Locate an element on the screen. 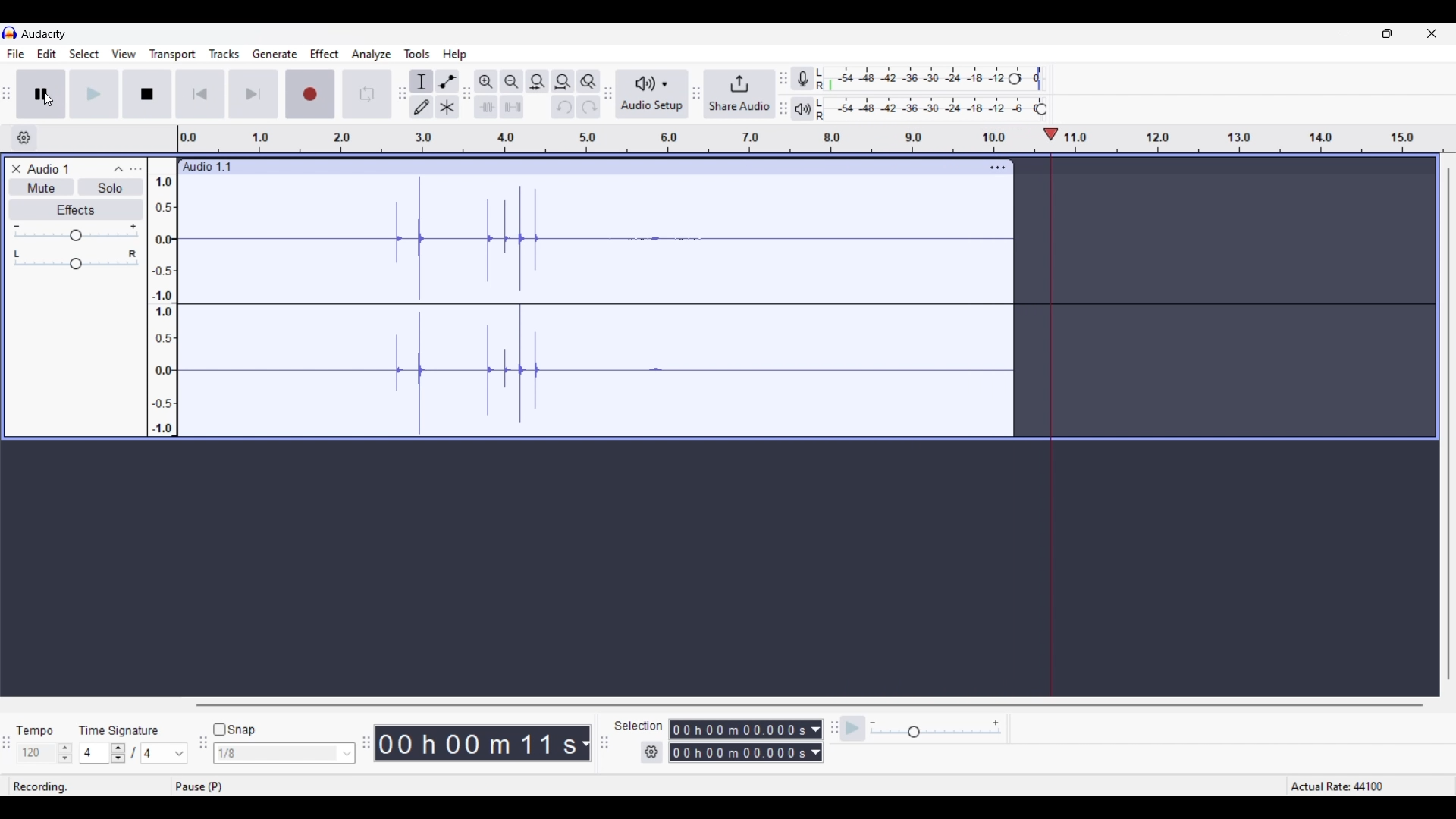 The image size is (1456, 819). Tempo is located at coordinates (42, 727).